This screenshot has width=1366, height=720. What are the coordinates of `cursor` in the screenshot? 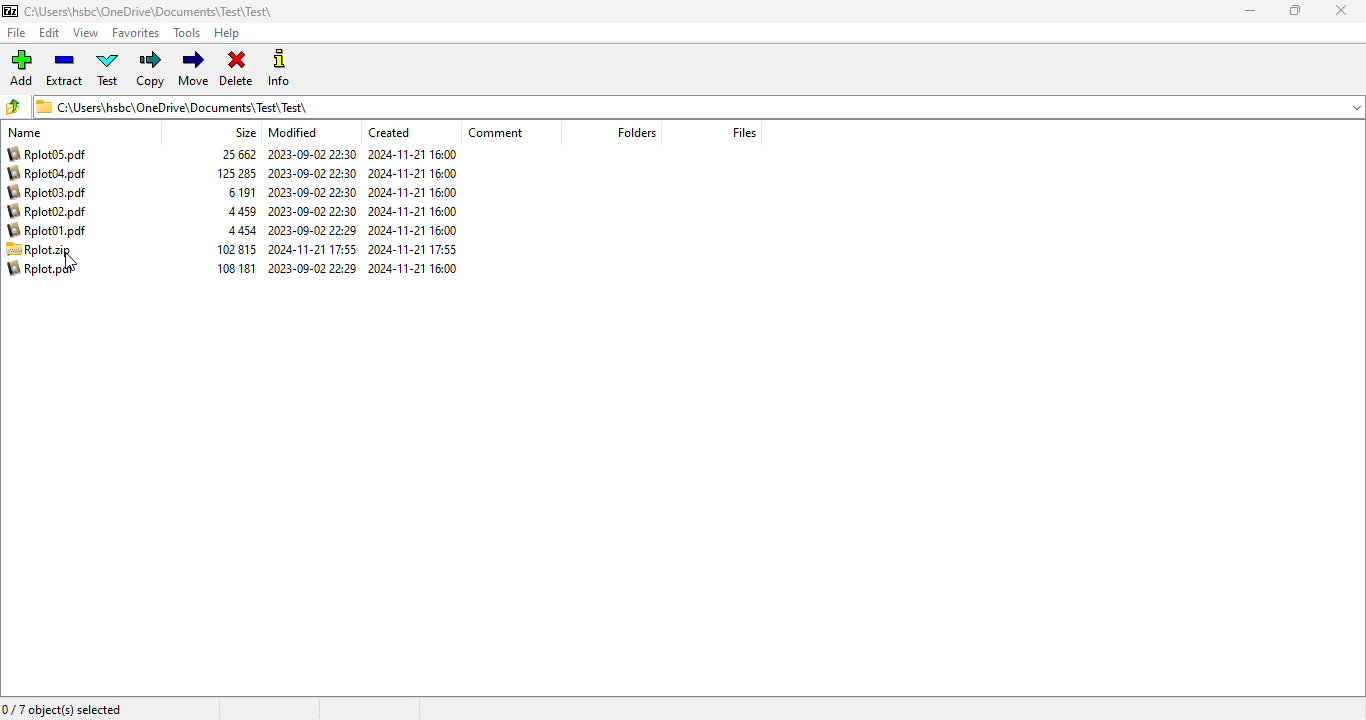 It's located at (71, 262).